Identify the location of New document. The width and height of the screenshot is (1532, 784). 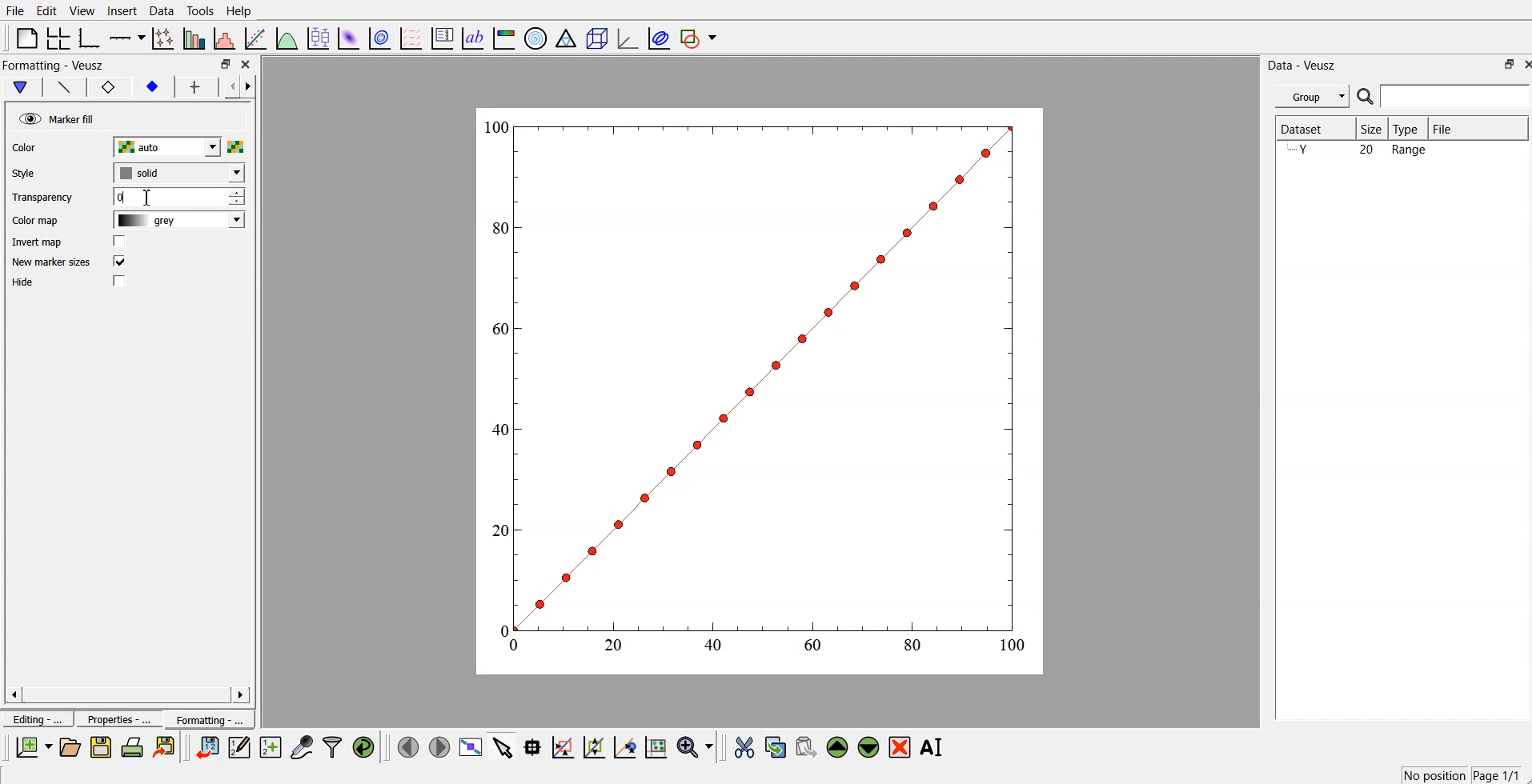
(34, 747).